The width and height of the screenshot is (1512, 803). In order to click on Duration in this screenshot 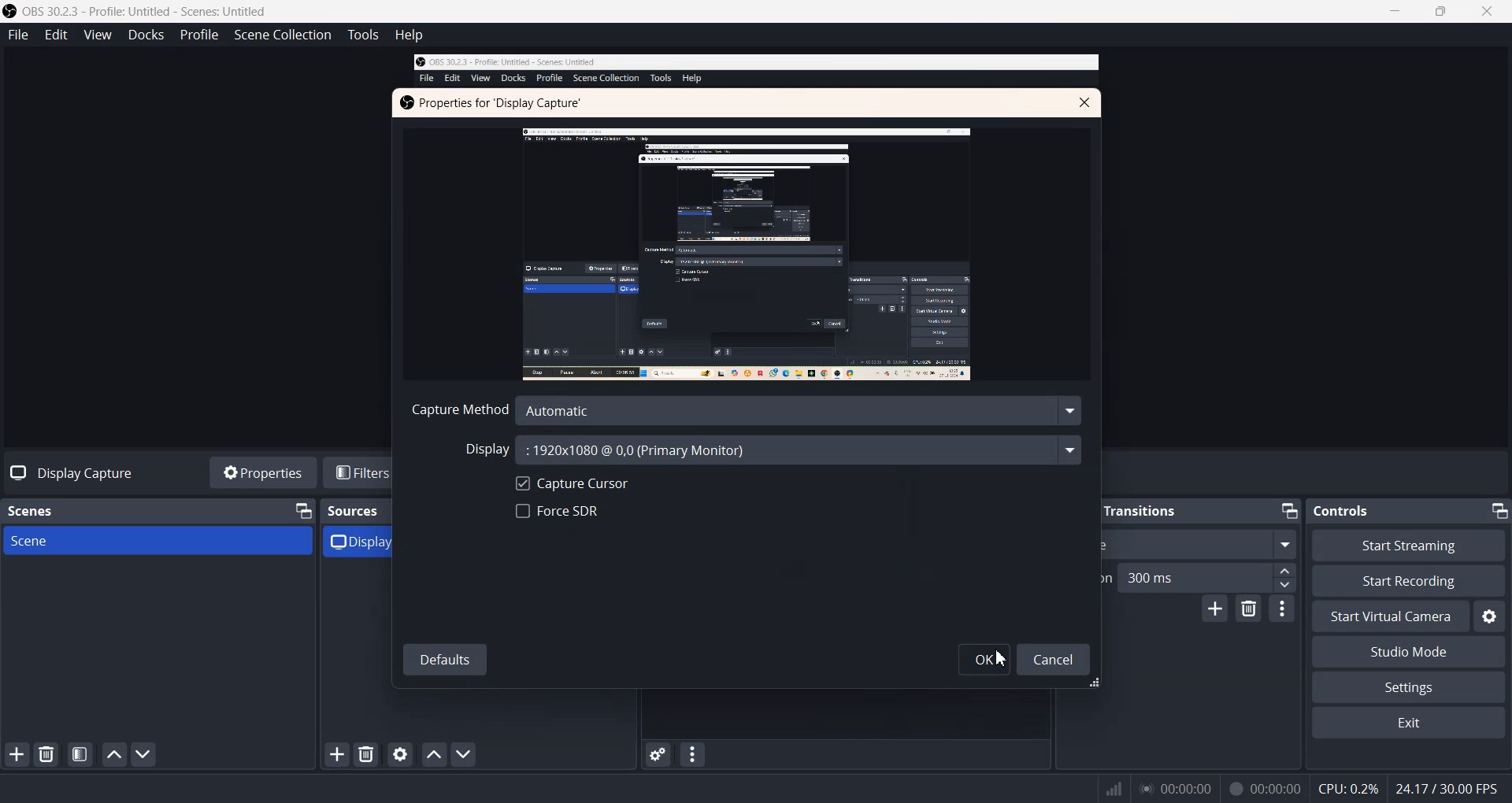, I will do `click(1202, 577)`.